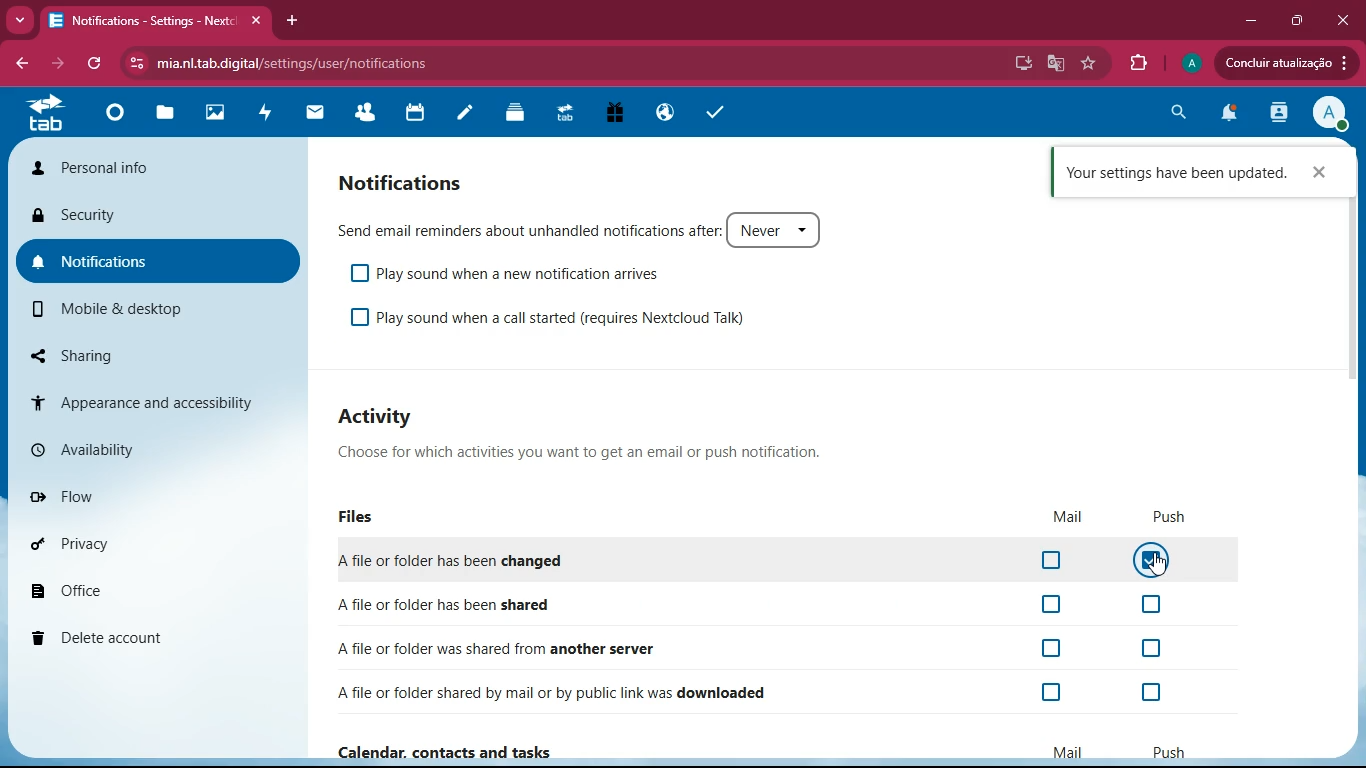 Image resolution: width=1366 pixels, height=768 pixels. What do you see at coordinates (1090, 65) in the screenshot?
I see `favourite` at bounding box center [1090, 65].